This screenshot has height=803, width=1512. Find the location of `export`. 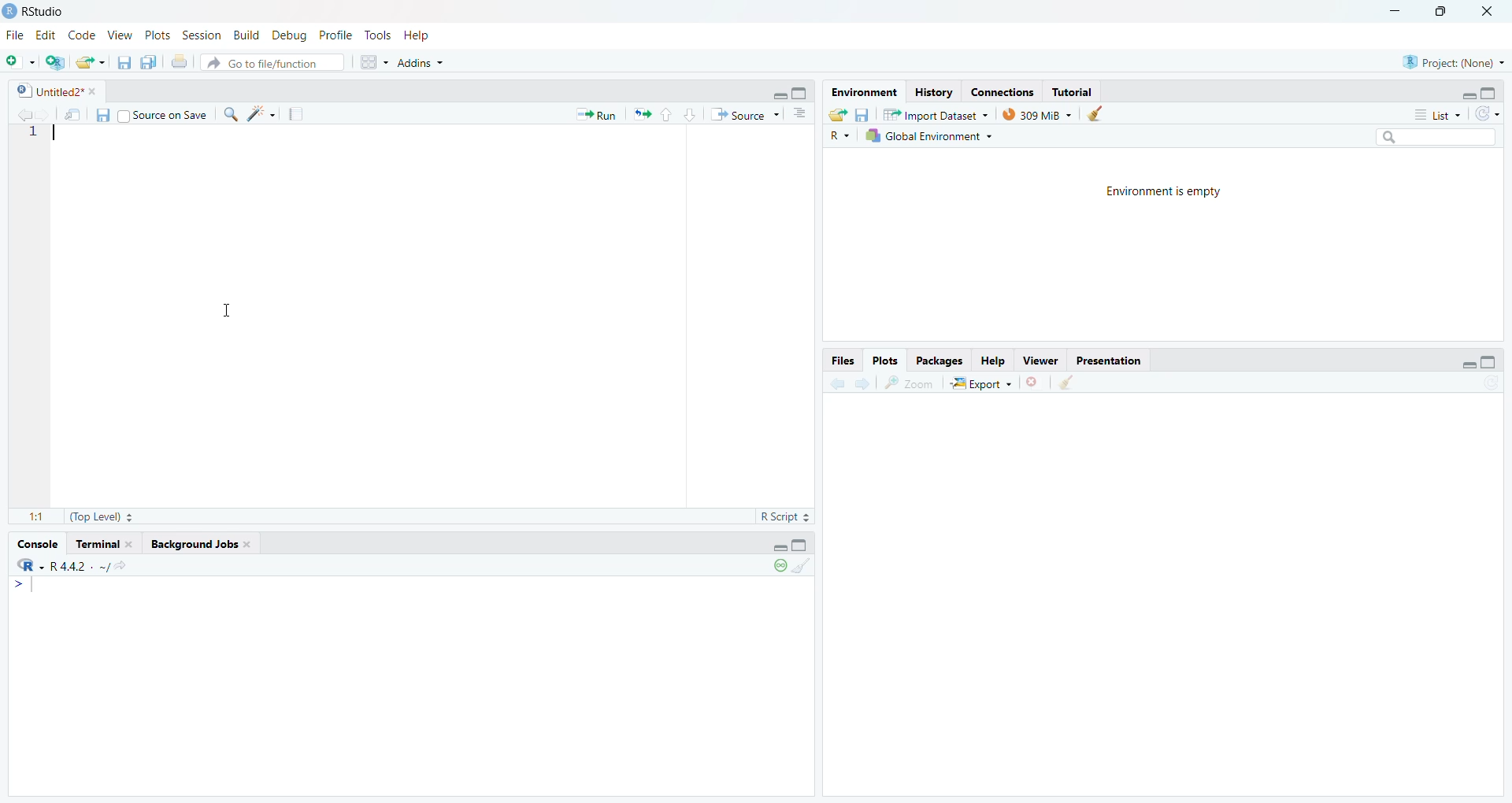

export is located at coordinates (90, 62).